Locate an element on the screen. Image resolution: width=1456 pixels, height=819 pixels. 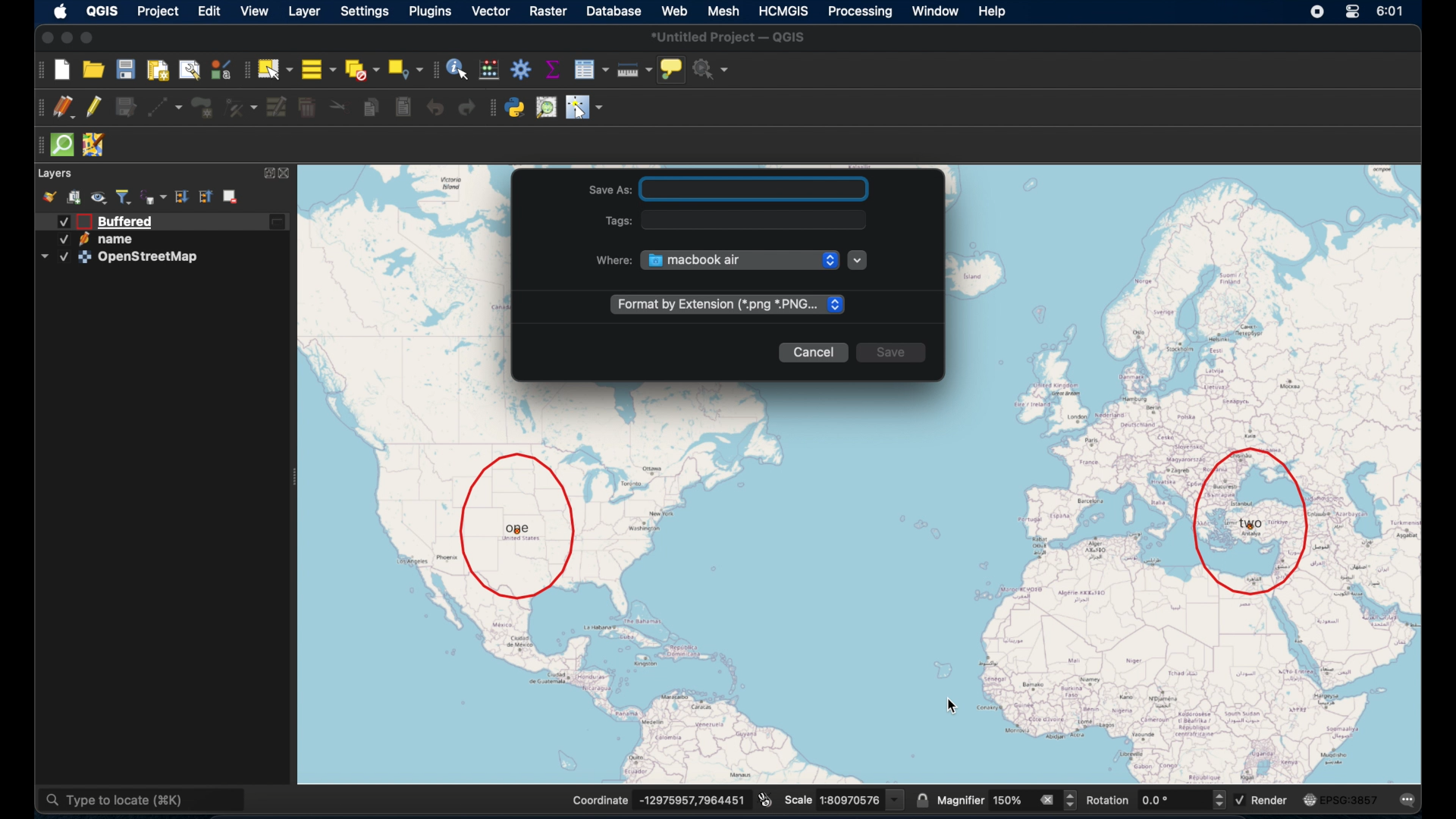
deselect features is located at coordinates (361, 68).